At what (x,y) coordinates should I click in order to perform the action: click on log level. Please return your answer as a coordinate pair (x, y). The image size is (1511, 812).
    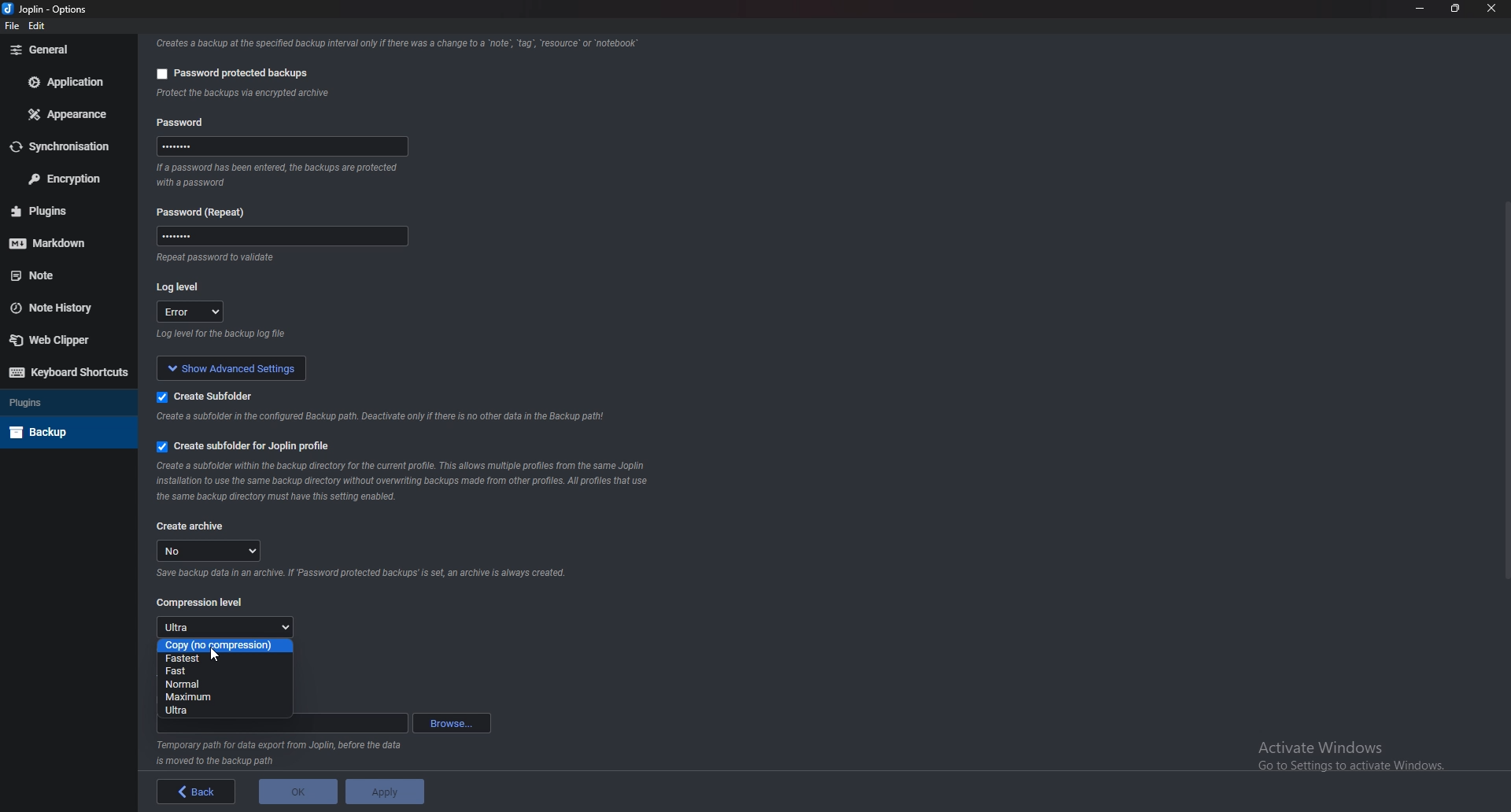
    Looking at the image, I should click on (184, 286).